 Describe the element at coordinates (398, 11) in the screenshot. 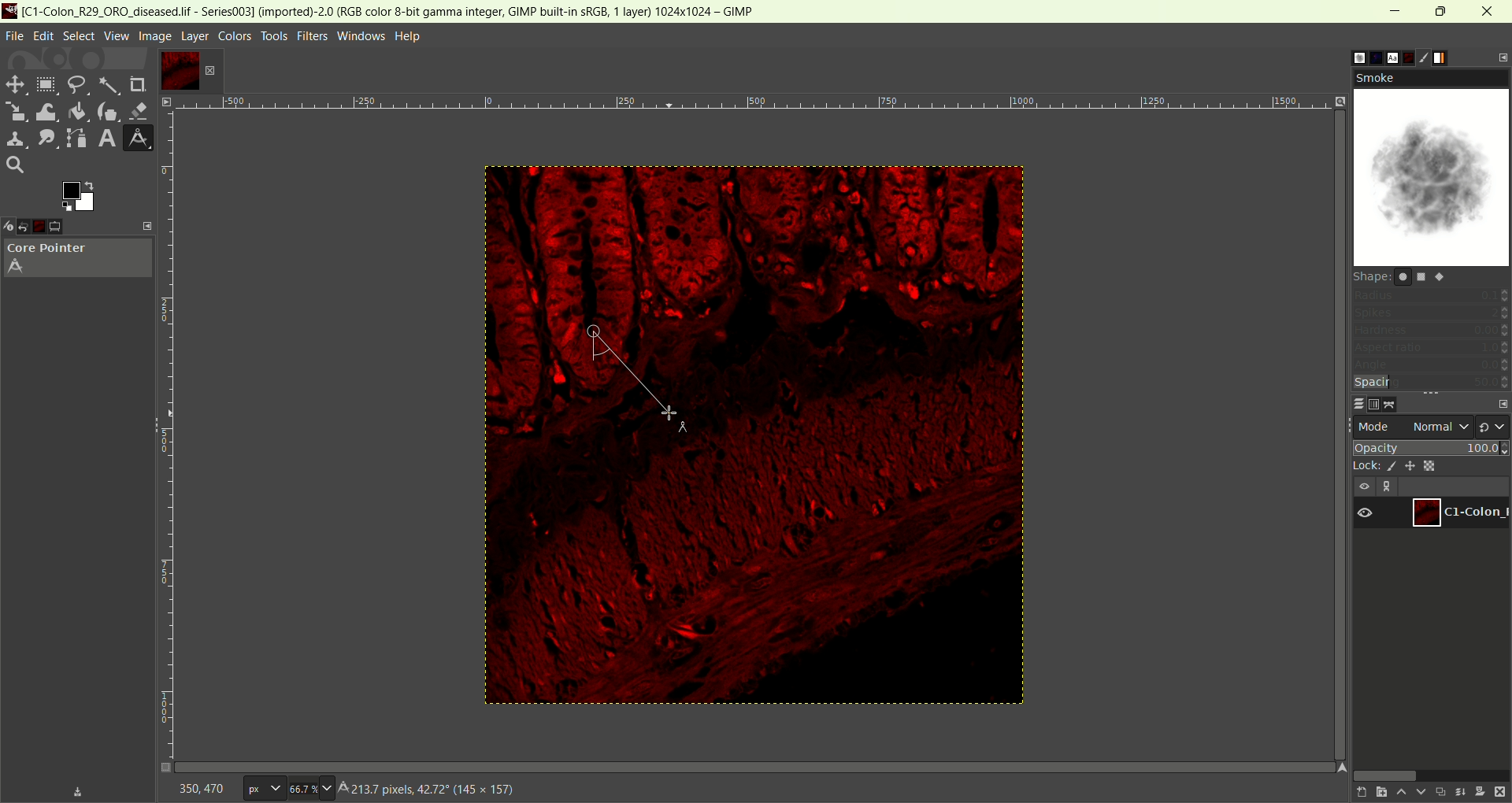

I see `title` at that location.